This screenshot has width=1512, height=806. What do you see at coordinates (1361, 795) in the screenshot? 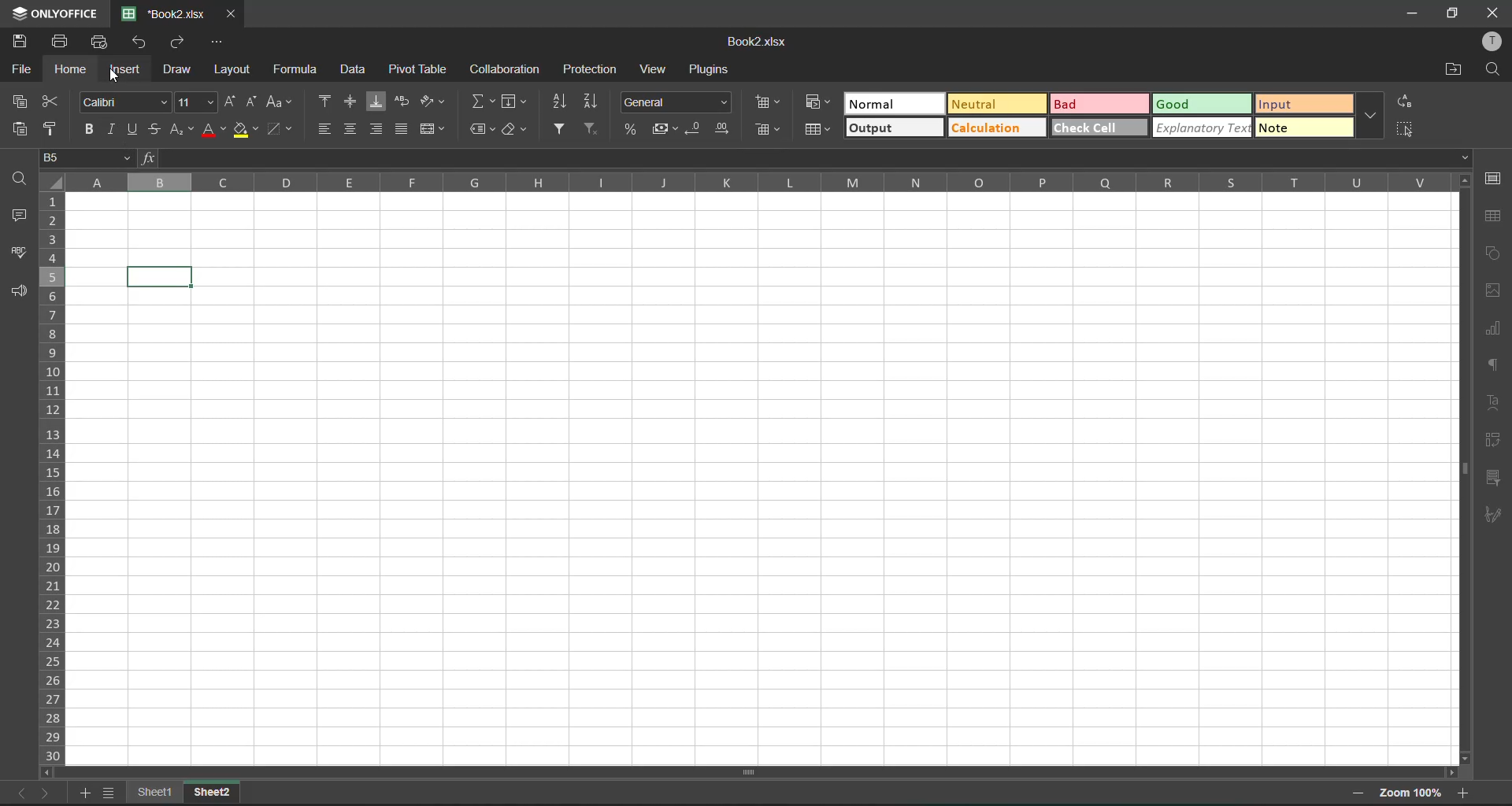
I see `zoom out` at bounding box center [1361, 795].